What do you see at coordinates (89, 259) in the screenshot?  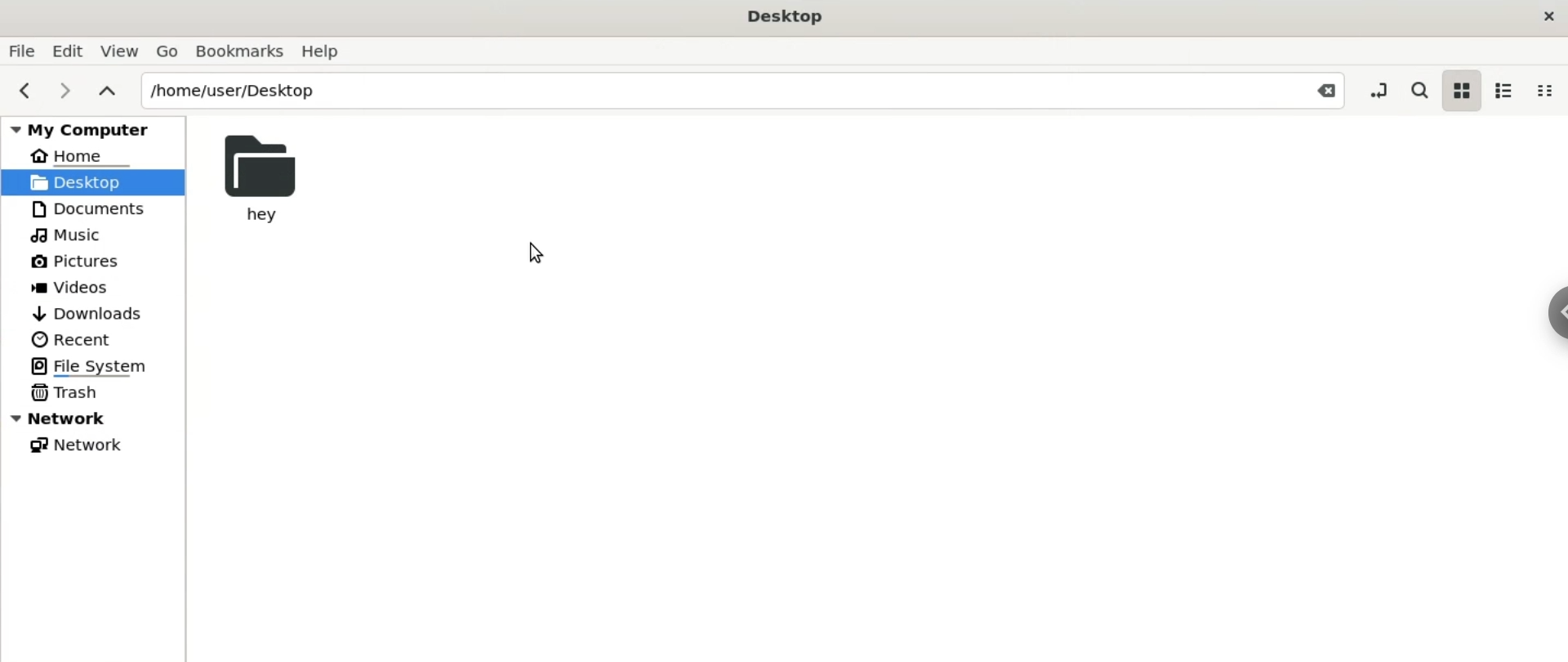 I see `pictures` at bounding box center [89, 259].